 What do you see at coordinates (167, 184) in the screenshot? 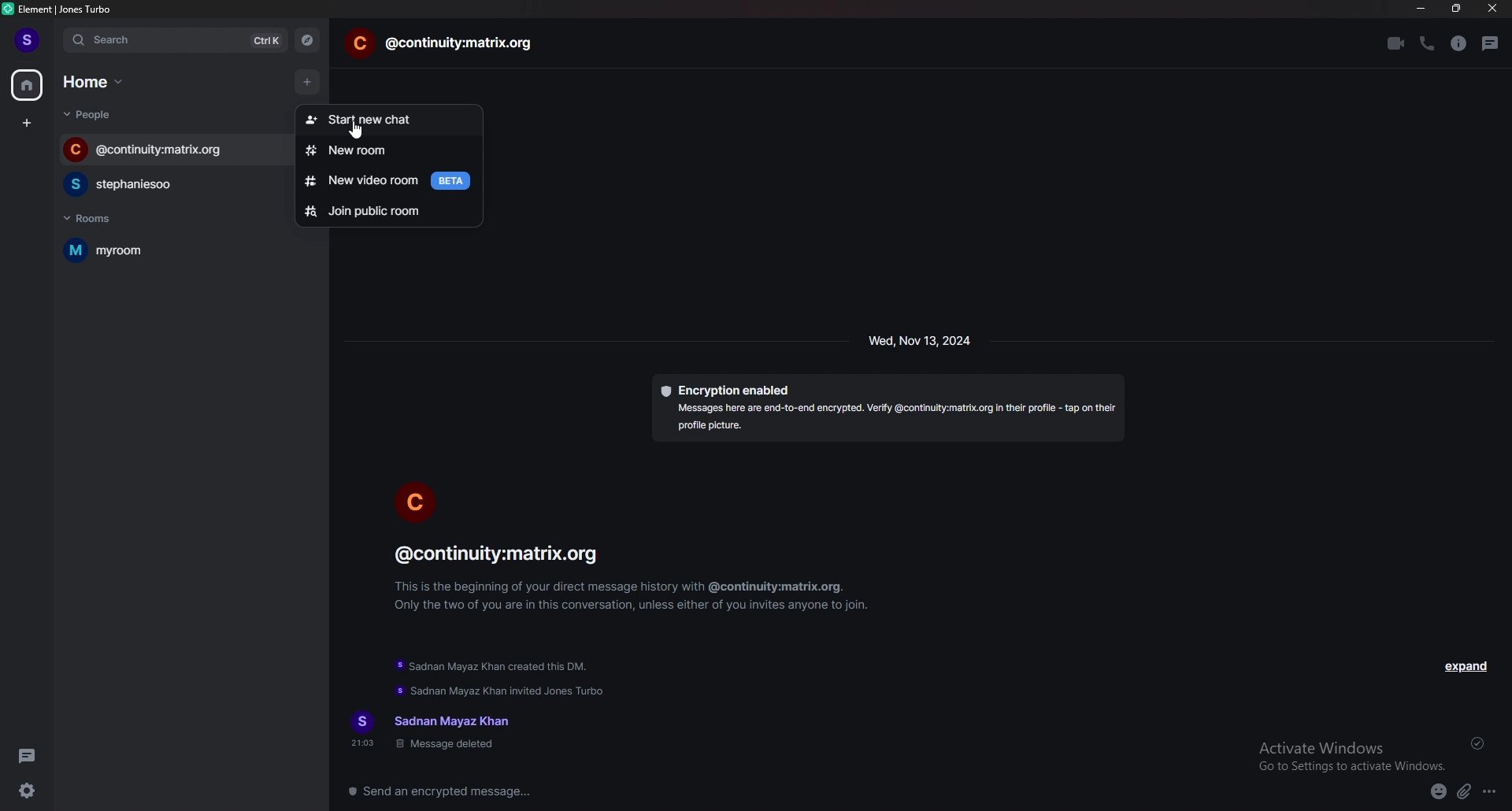
I see `chat` at bounding box center [167, 184].